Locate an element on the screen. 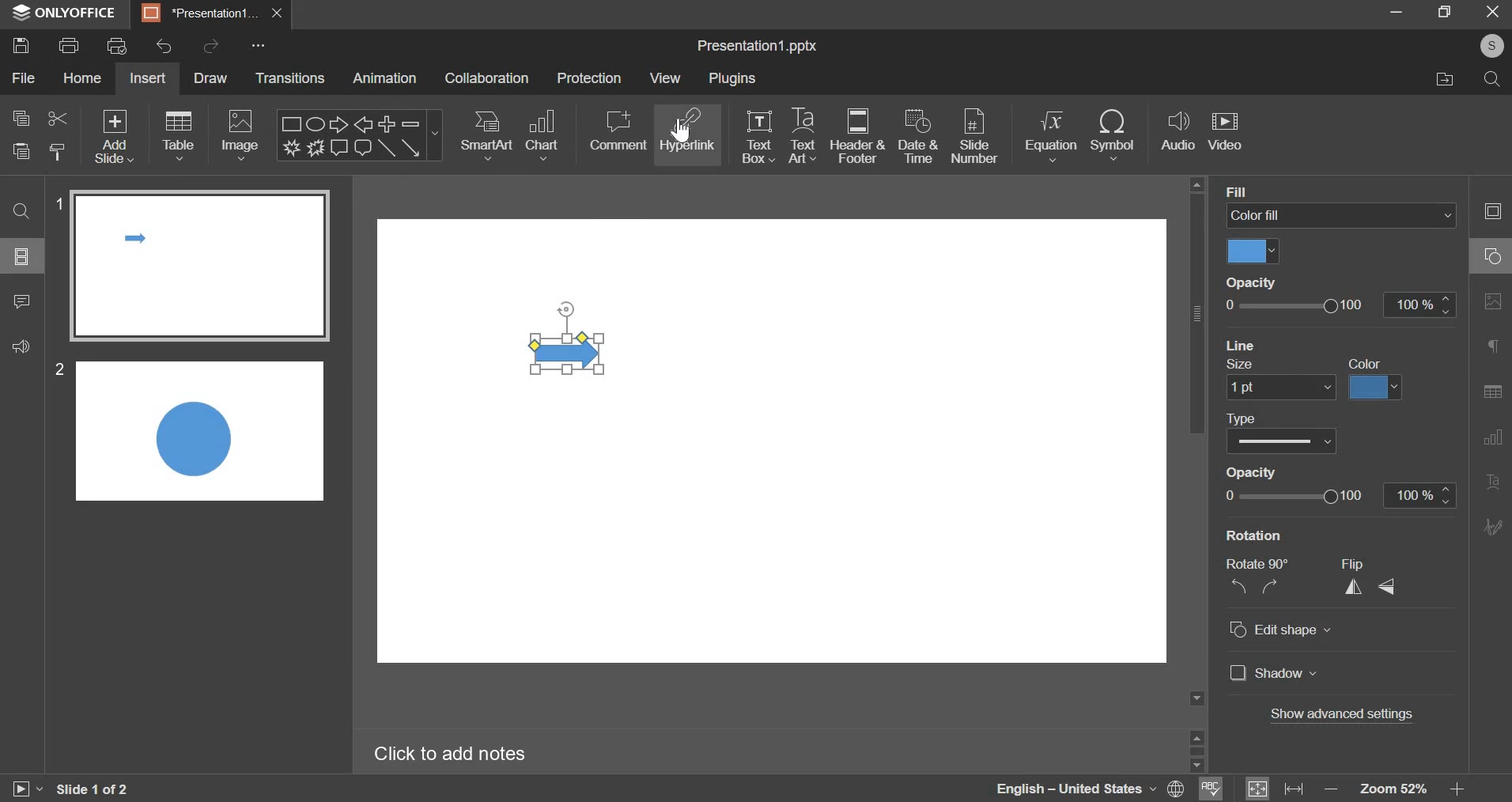  draw is located at coordinates (210, 78).